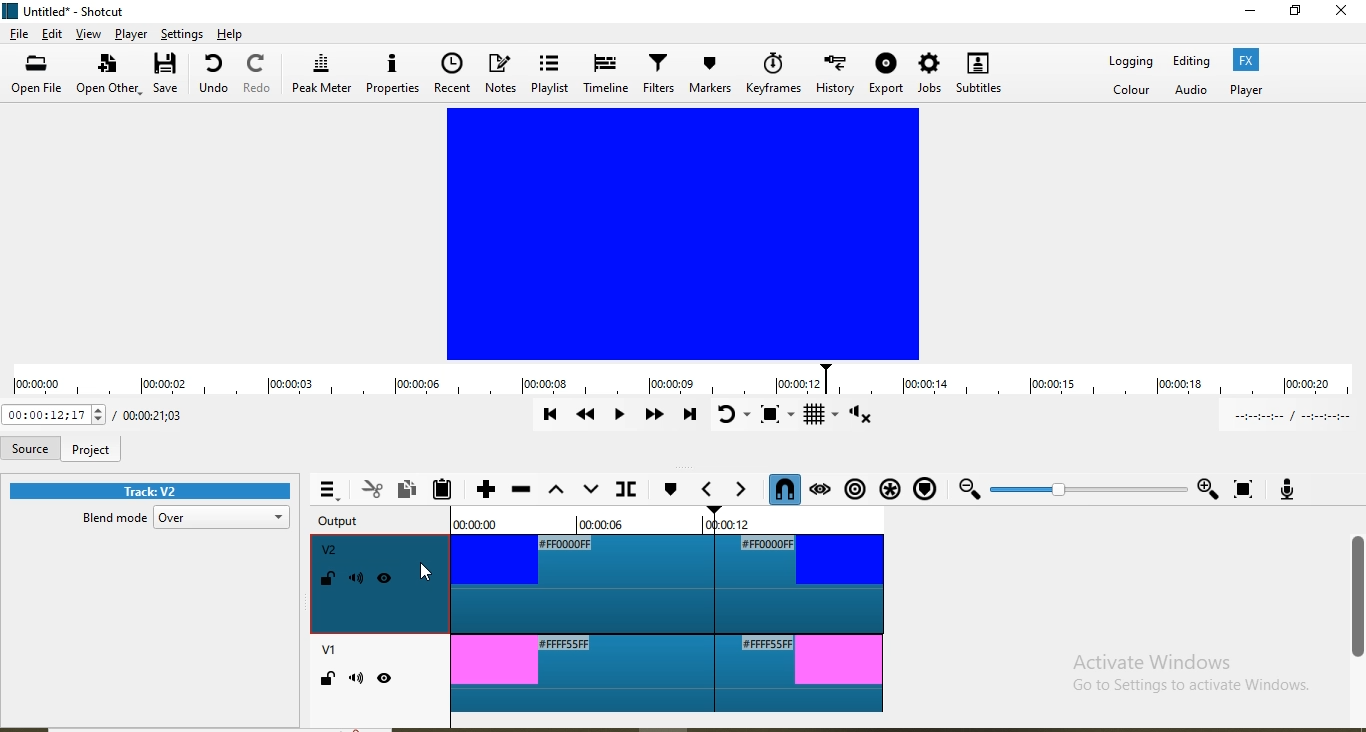 Image resolution: width=1366 pixels, height=732 pixels. Describe the element at coordinates (131, 34) in the screenshot. I see `Player` at that location.